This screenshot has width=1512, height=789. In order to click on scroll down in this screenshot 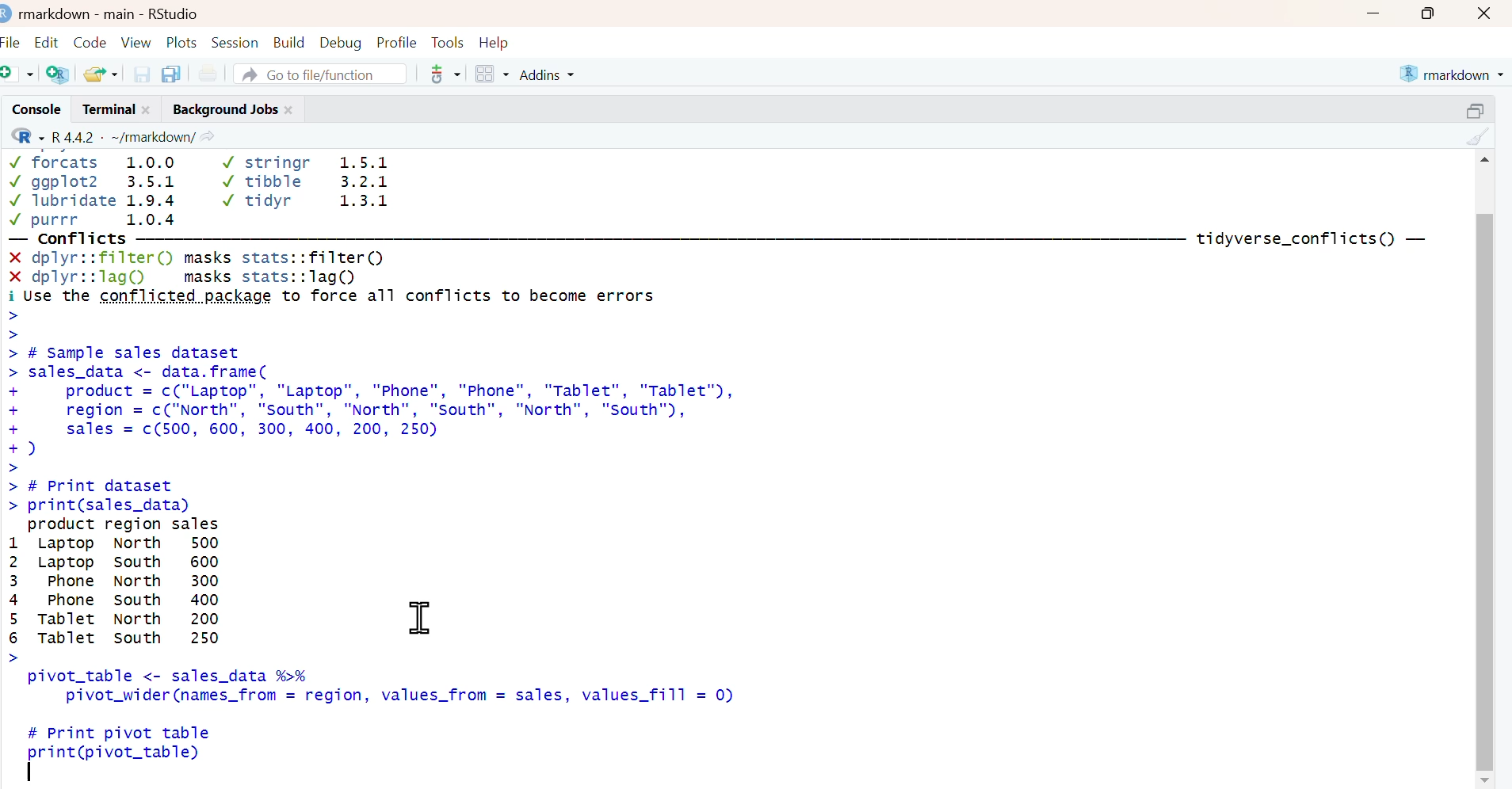, I will do `click(1486, 779)`.